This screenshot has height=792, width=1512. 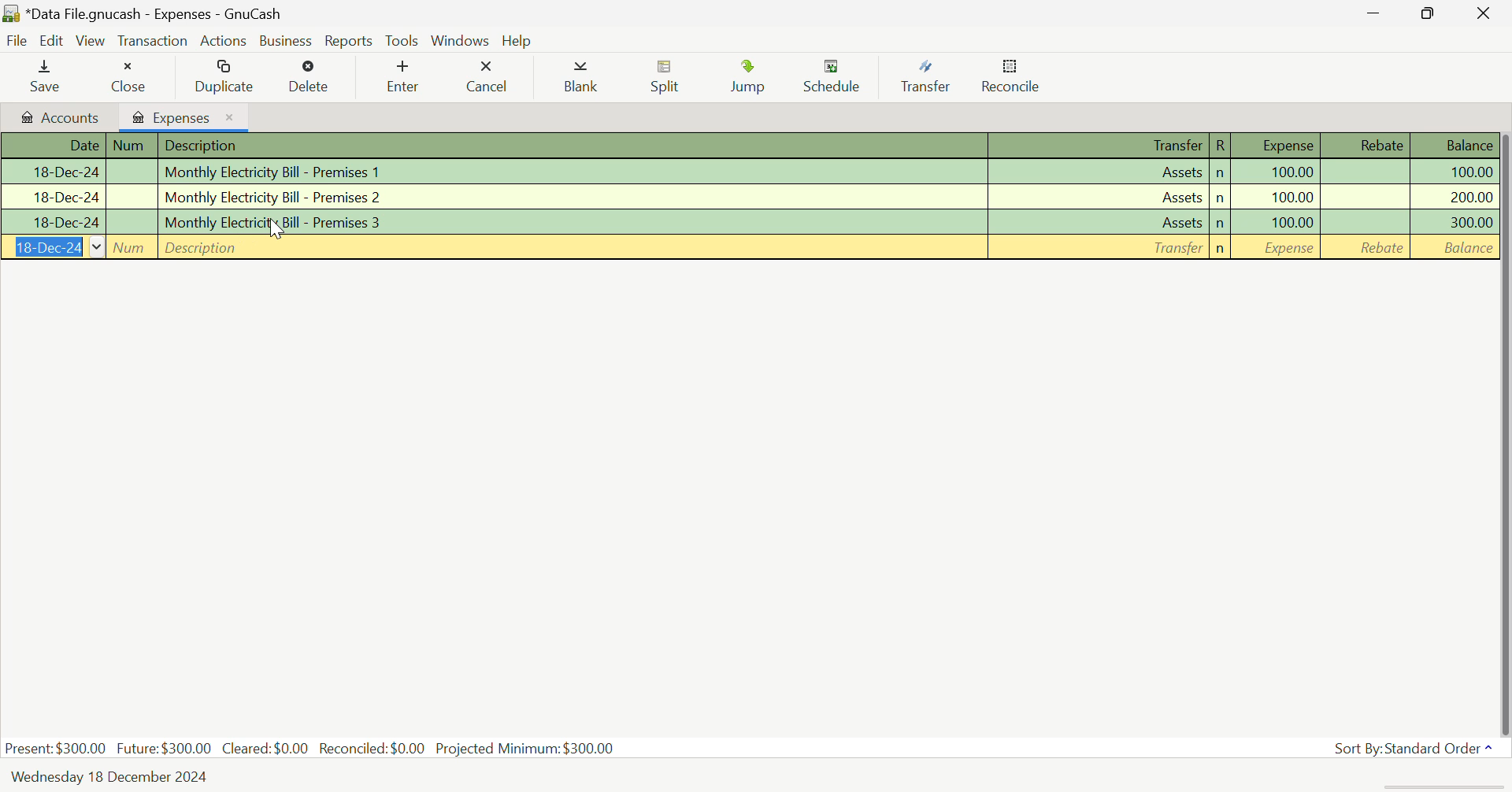 I want to click on Close, so click(x=128, y=77).